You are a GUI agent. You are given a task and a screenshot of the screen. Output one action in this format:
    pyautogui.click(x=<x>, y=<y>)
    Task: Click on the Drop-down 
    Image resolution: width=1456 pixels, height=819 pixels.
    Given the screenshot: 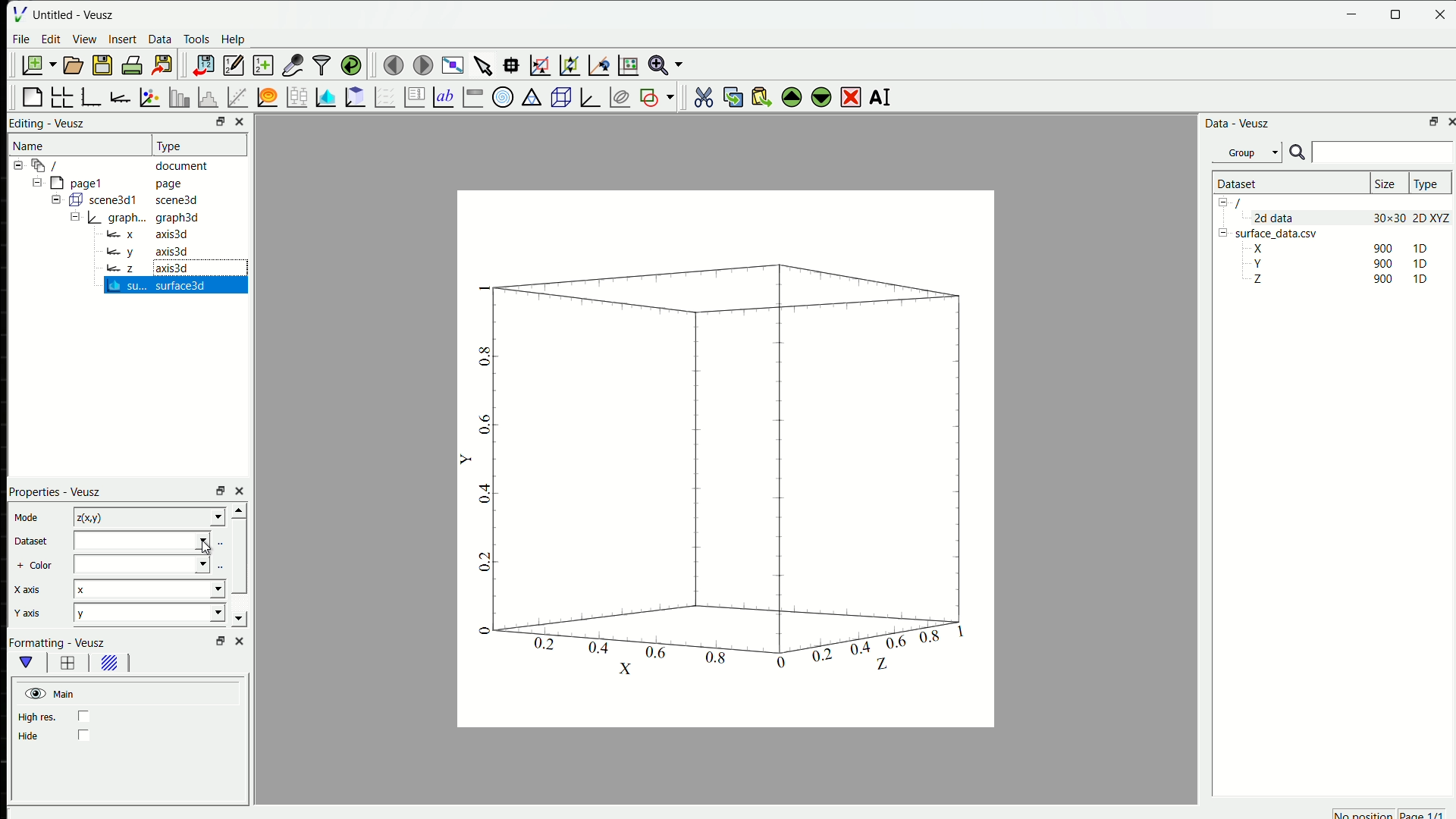 What is the action you would take?
    pyautogui.click(x=218, y=613)
    